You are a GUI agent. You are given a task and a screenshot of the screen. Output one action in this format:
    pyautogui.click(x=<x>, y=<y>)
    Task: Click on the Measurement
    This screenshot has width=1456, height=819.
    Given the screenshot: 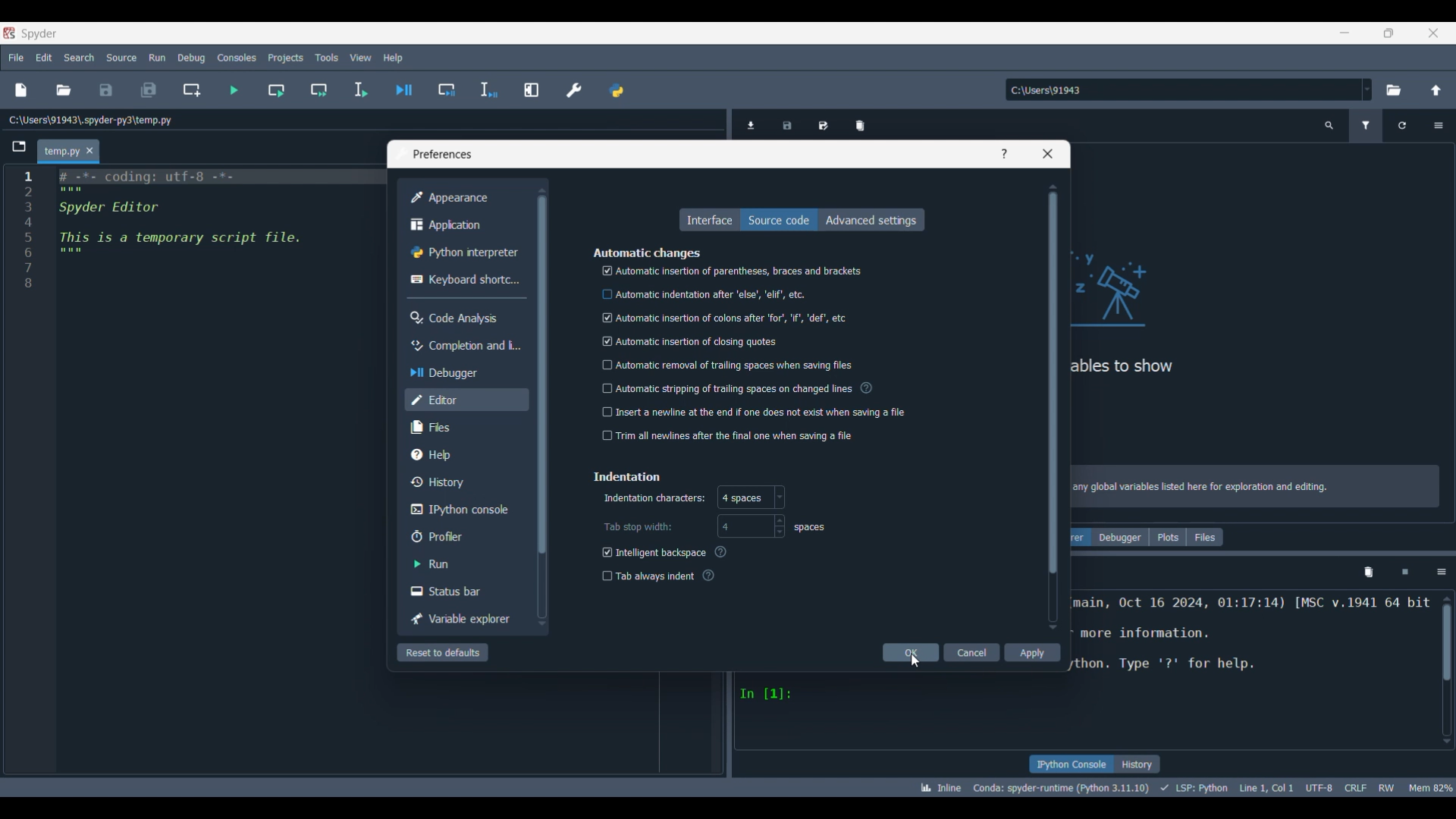 What is the action you would take?
    pyautogui.click(x=810, y=528)
    